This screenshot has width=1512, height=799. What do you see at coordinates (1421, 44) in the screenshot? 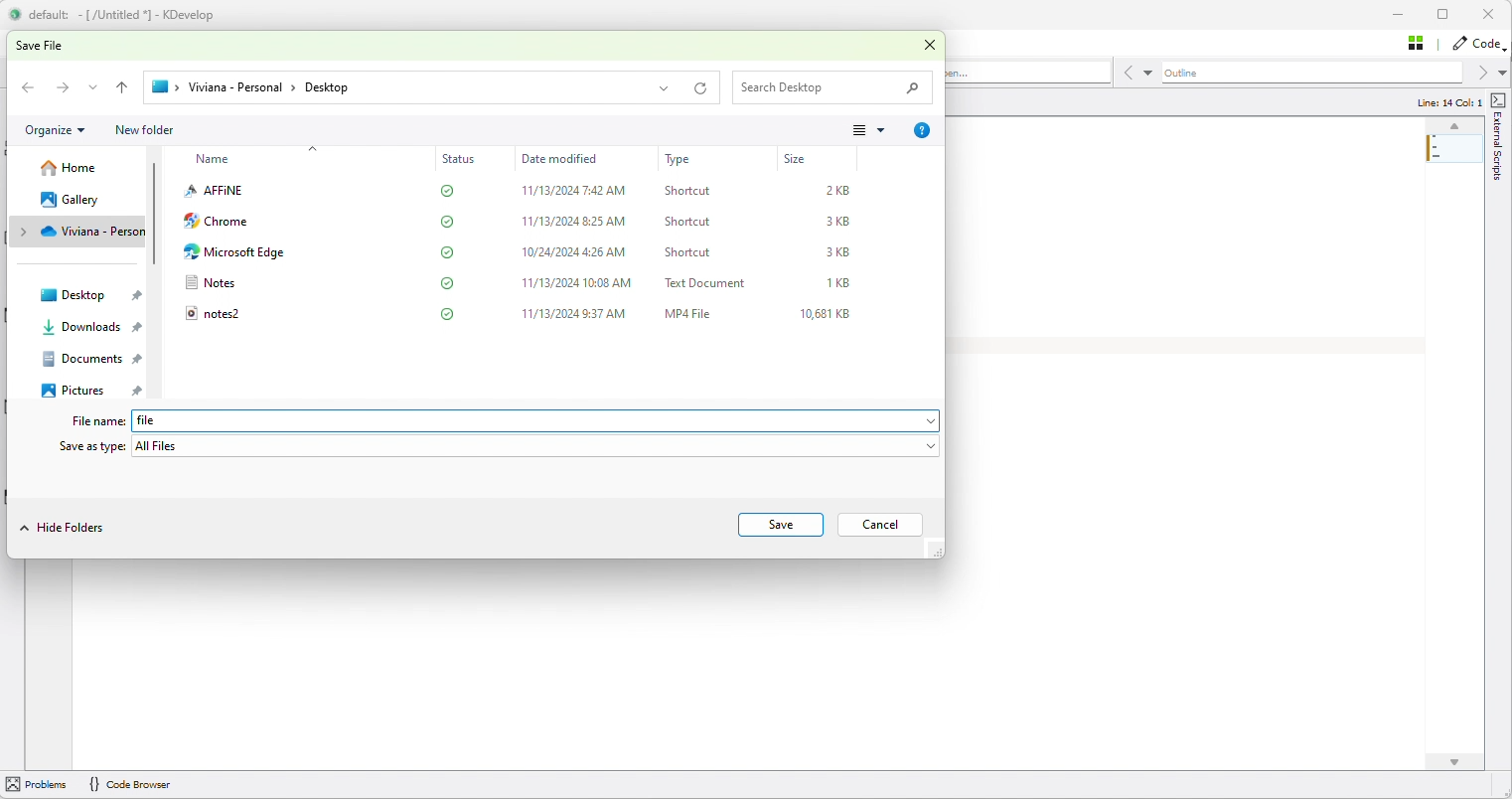
I see `Stash` at bounding box center [1421, 44].